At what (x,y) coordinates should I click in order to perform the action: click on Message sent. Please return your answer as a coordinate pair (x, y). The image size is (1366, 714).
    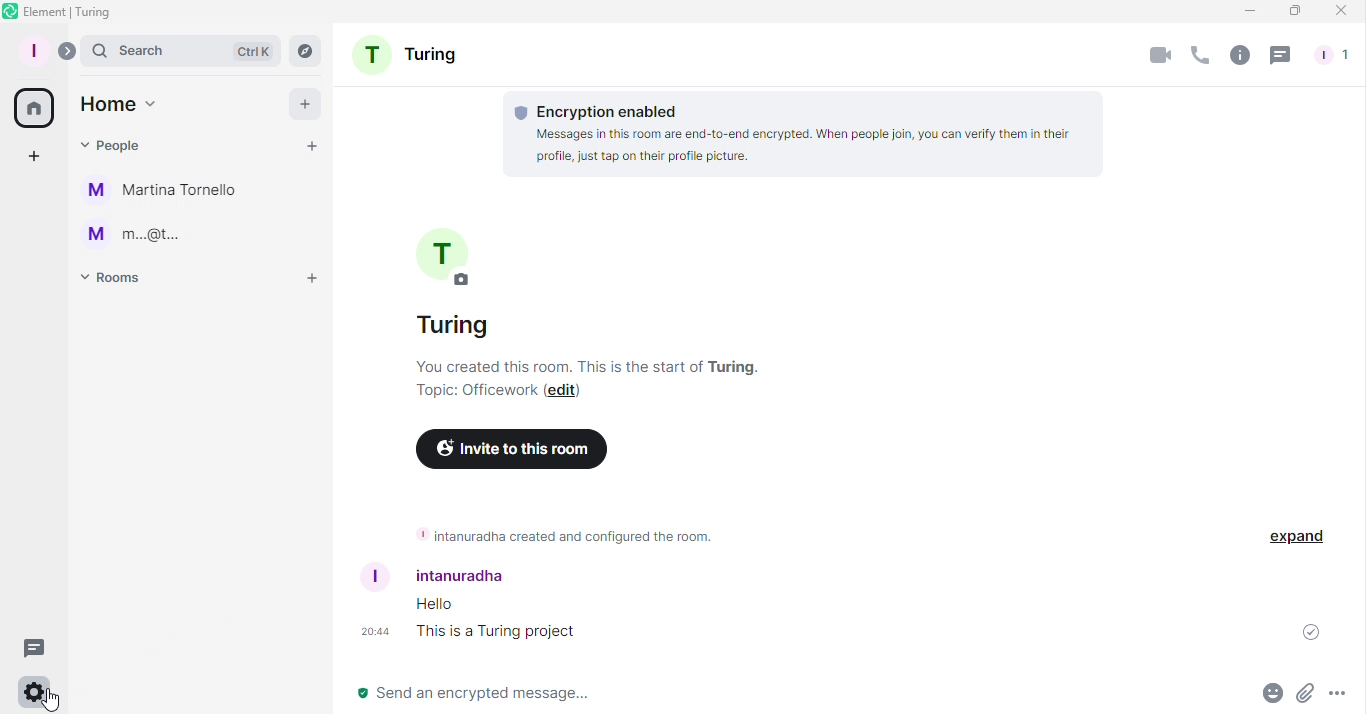
    Looking at the image, I should click on (1312, 636).